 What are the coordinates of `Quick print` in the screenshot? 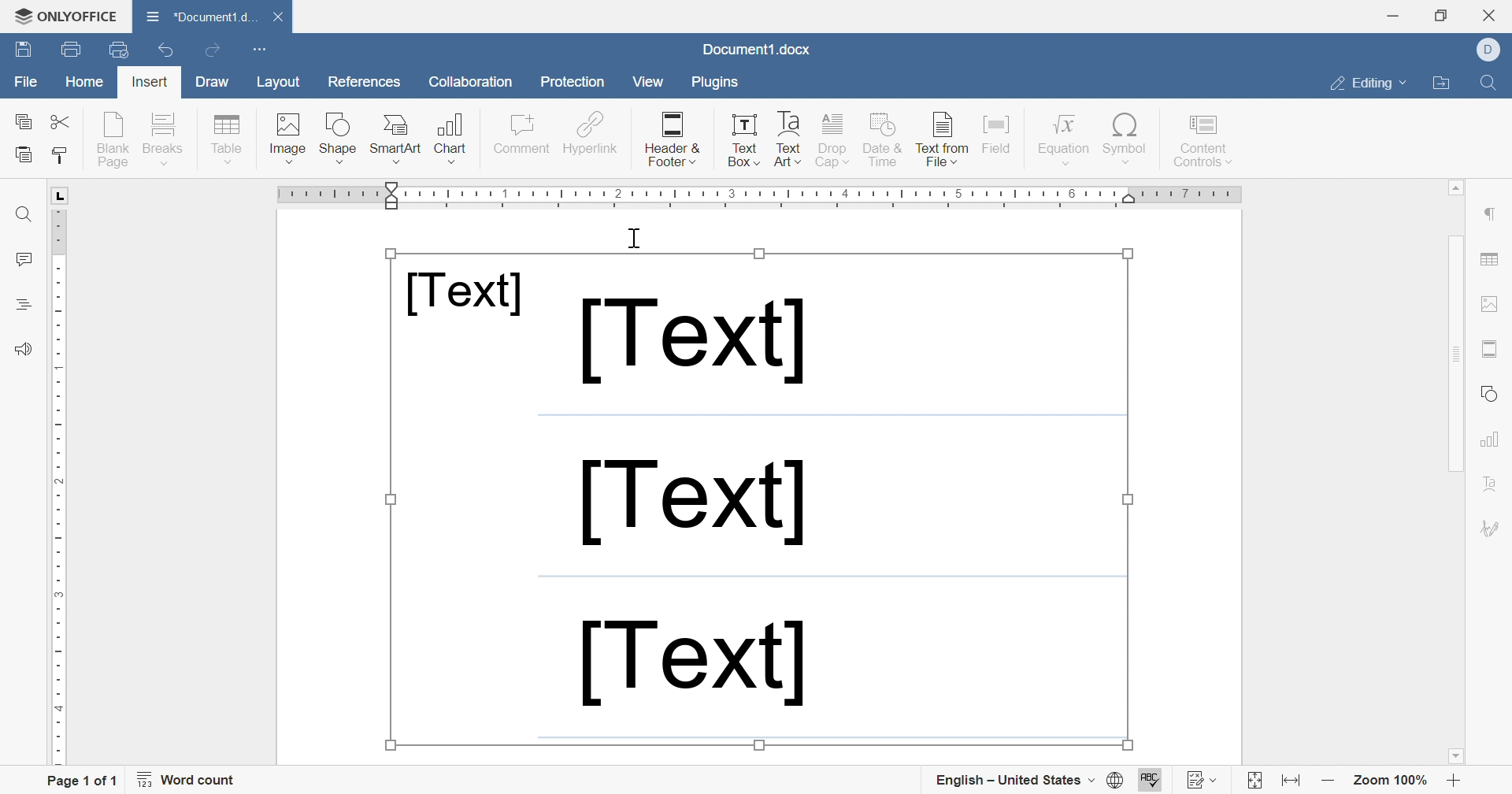 It's located at (120, 51).